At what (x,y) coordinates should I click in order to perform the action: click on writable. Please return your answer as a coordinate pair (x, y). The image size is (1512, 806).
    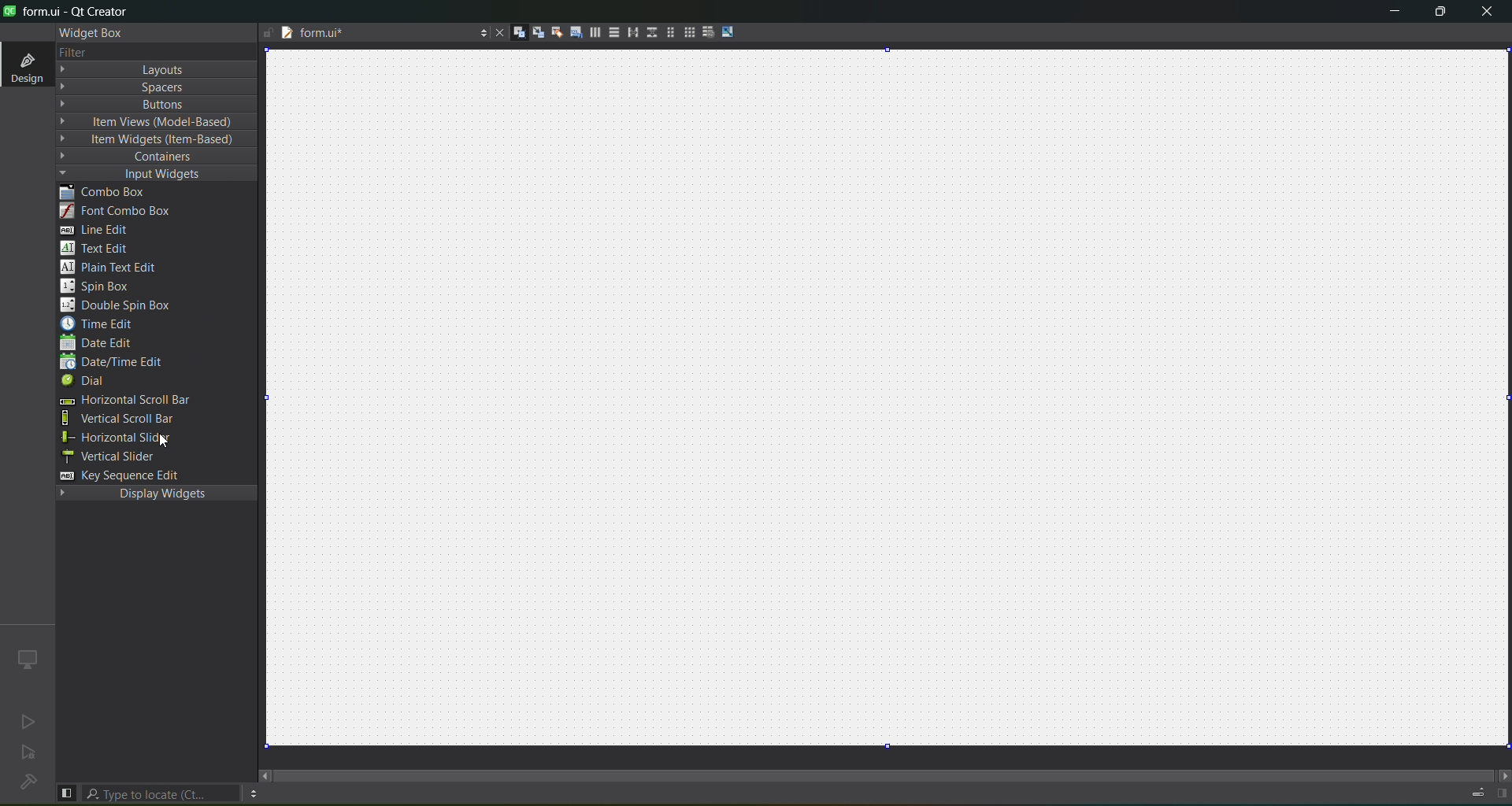
    Looking at the image, I should click on (265, 33).